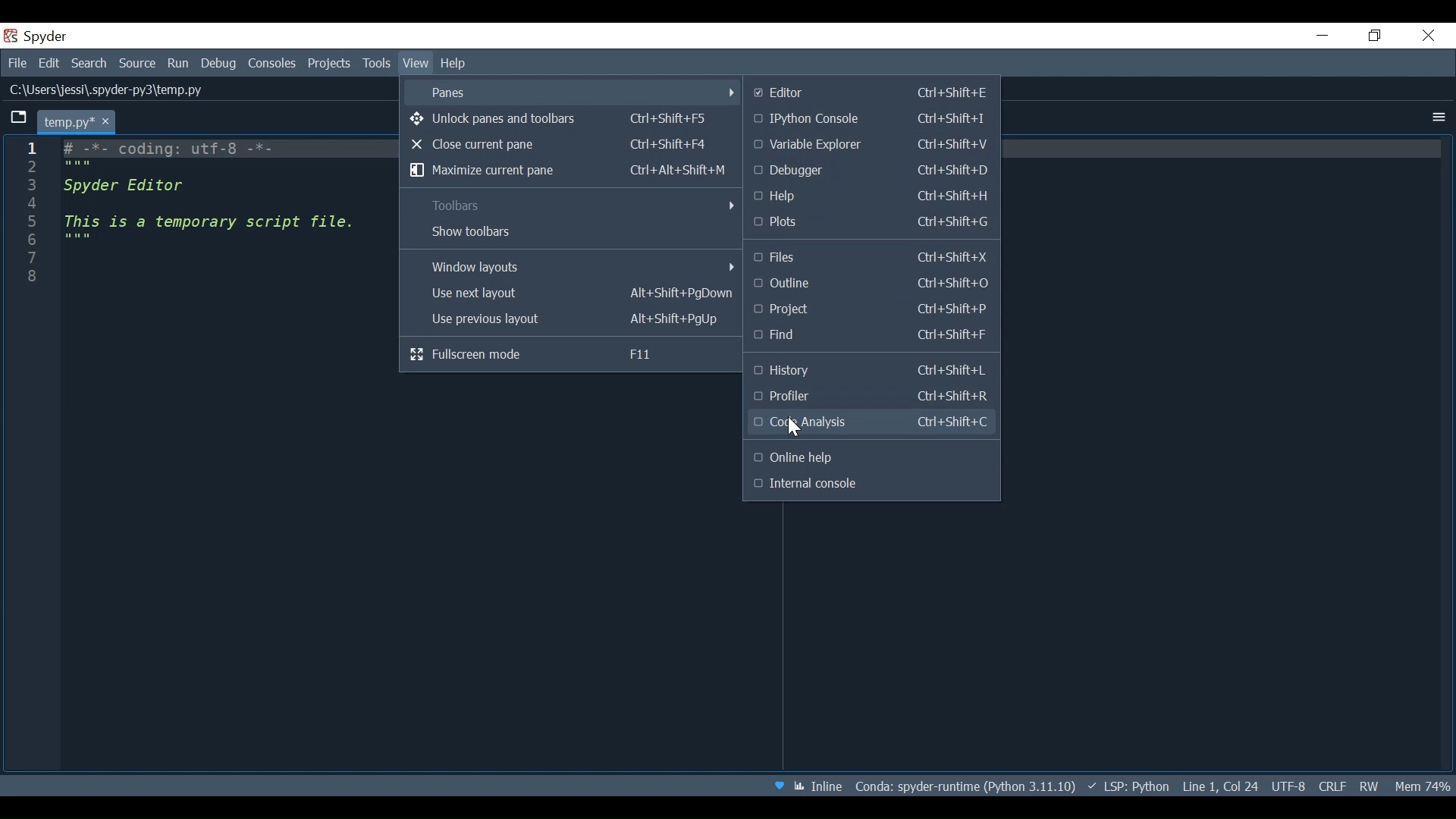 This screenshot has height=819, width=1456. I want to click on Windows layouts, so click(573, 266).